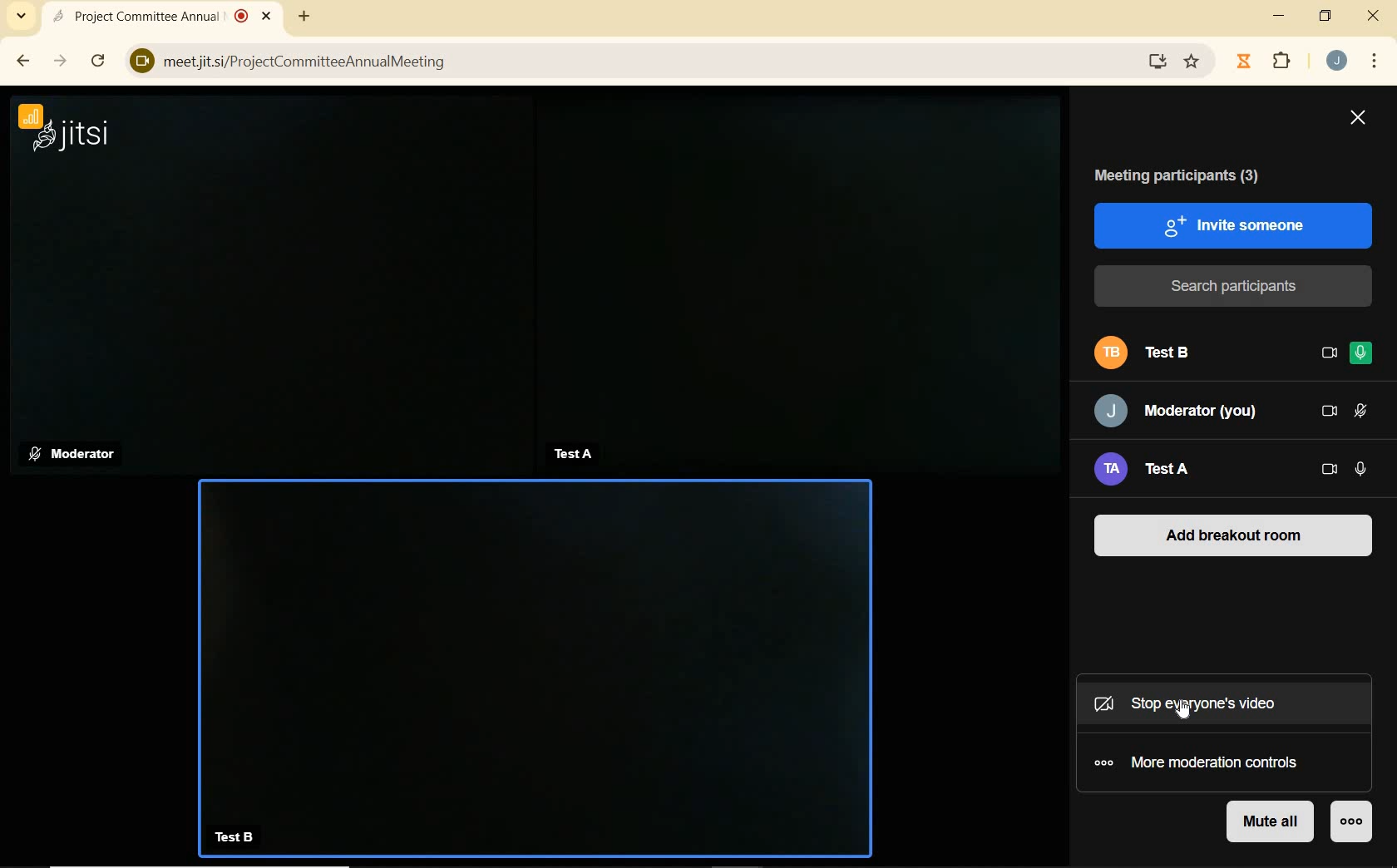 Image resolution: width=1397 pixels, height=868 pixels. Describe the element at coordinates (1360, 355) in the screenshot. I see `MICROPHONE` at that location.